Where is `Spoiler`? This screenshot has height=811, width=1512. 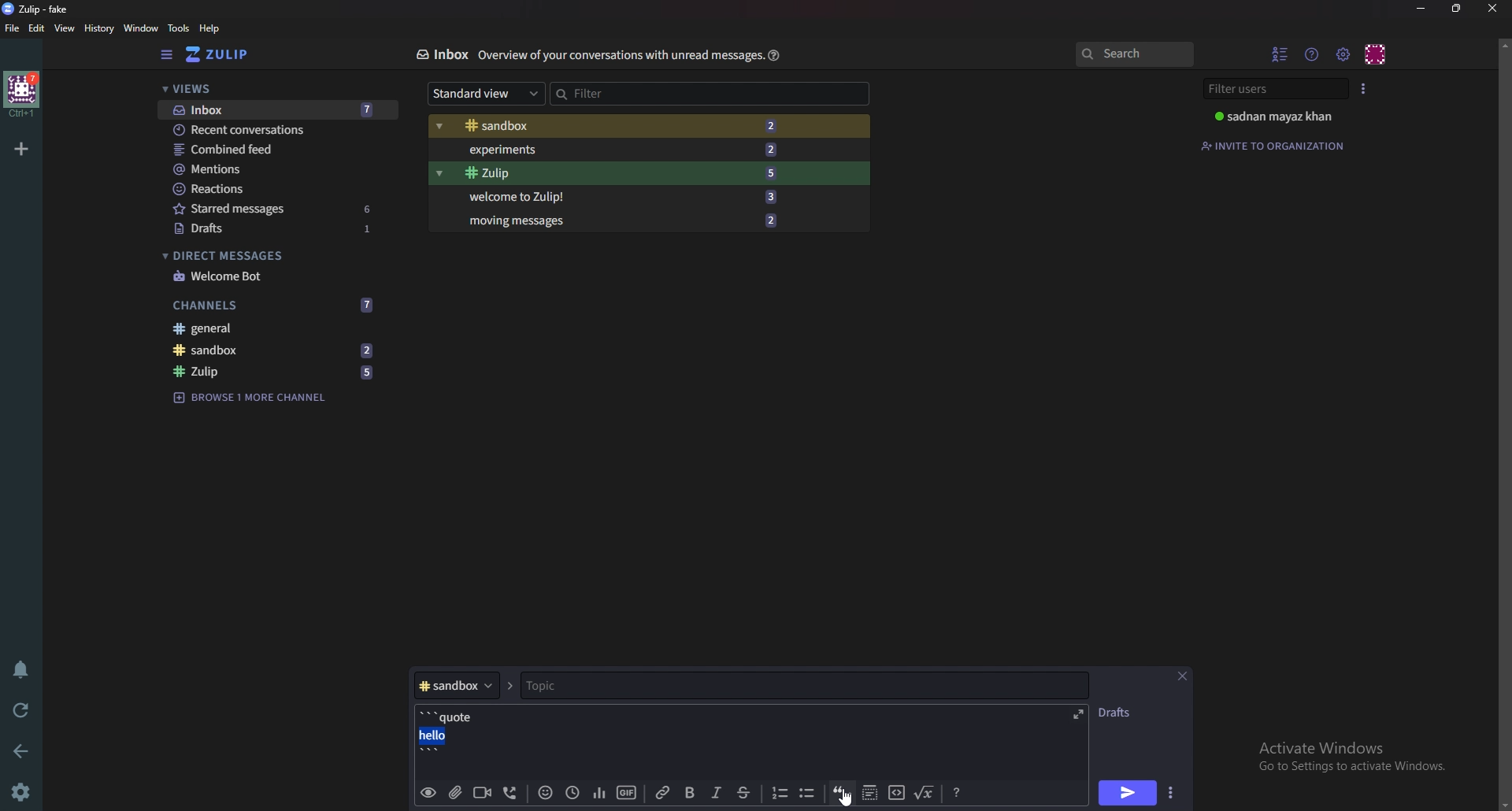
Spoiler is located at coordinates (872, 794).